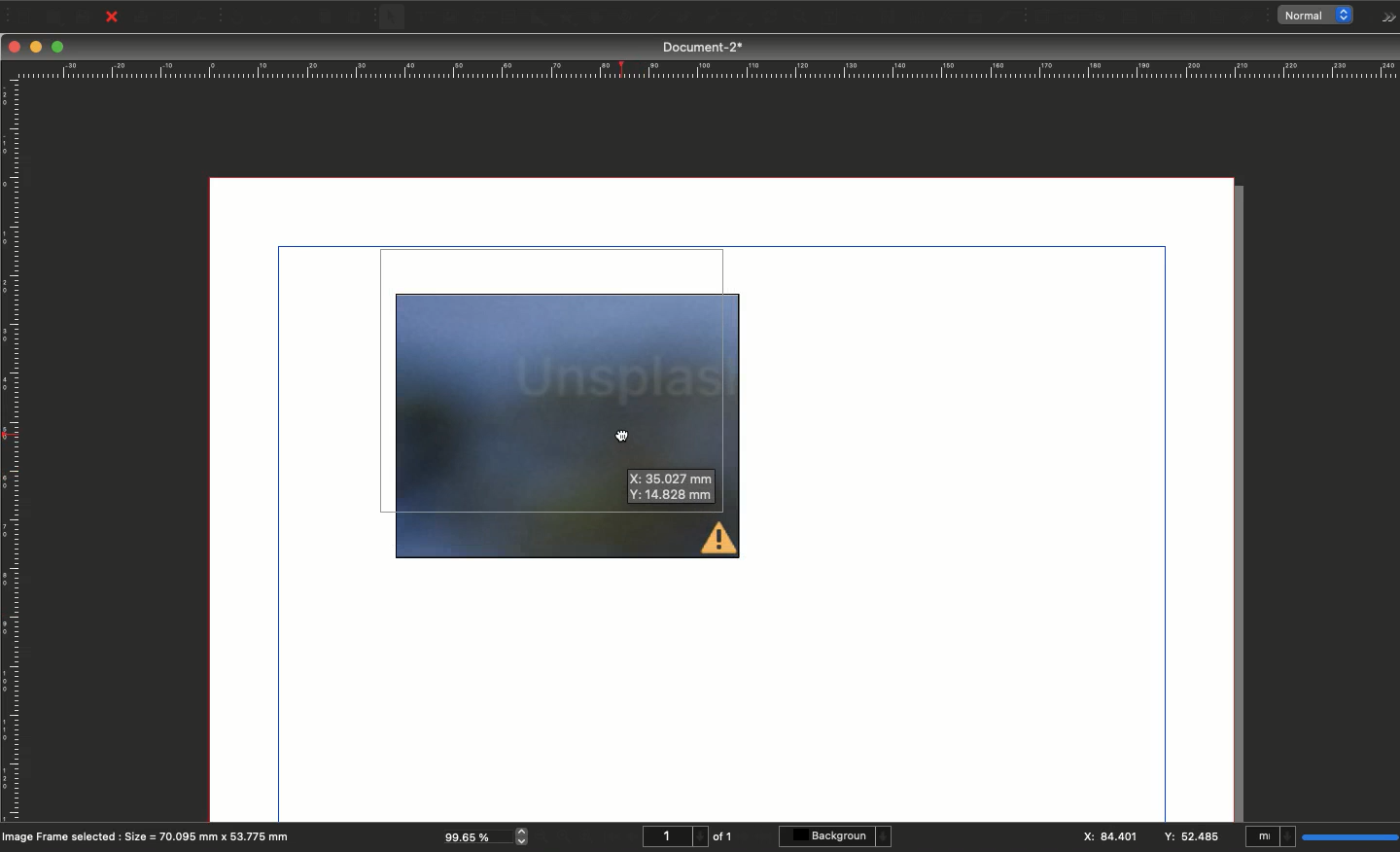  Describe the element at coordinates (740, 20) in the screenshot. I see `Rotate item` at that location.